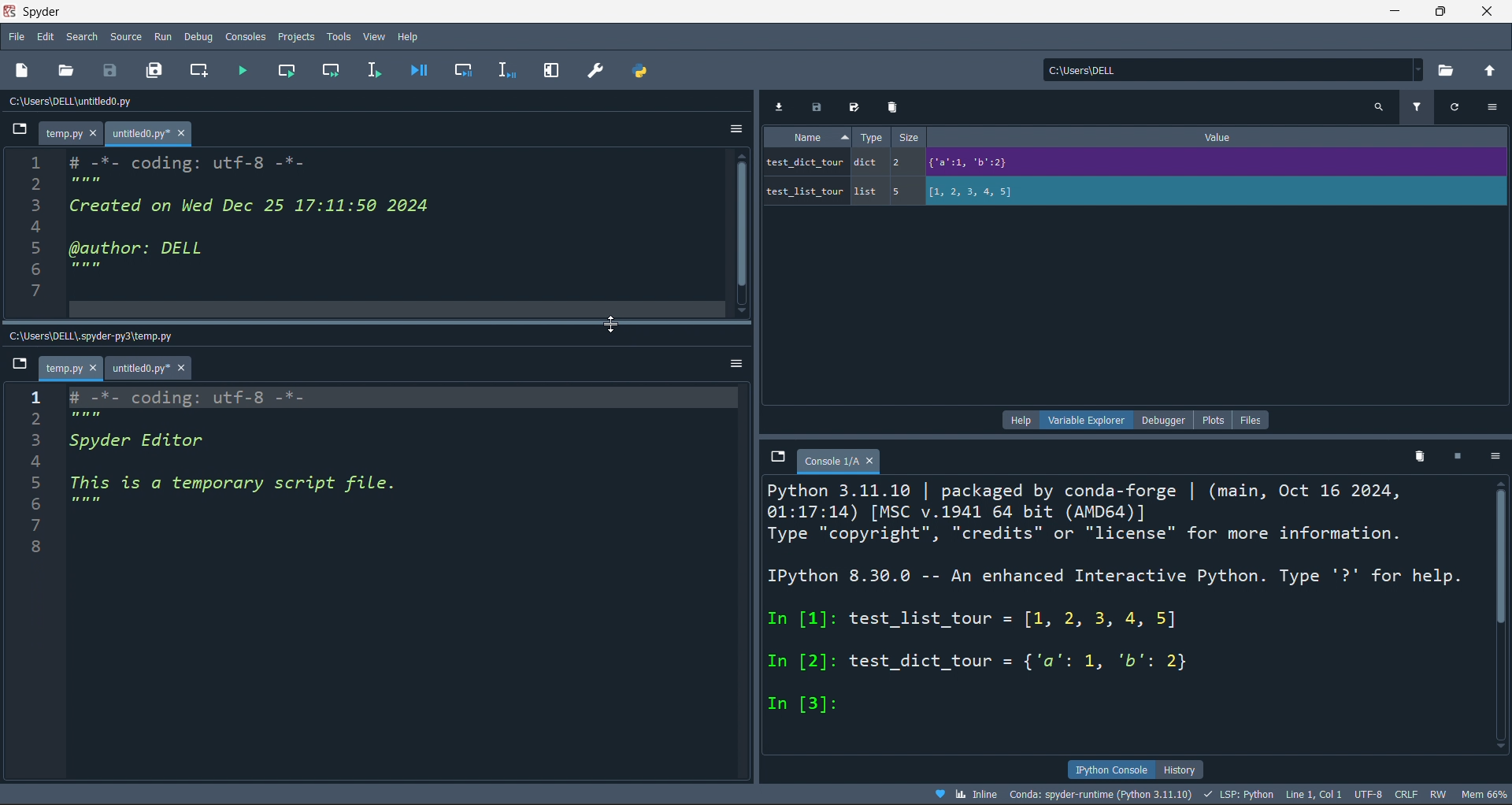 This screenshot has height=805, width=1512. What do you see at coordinates (817, 106) in the screenshot?
I see `save data` at bounding box center [817, 106].